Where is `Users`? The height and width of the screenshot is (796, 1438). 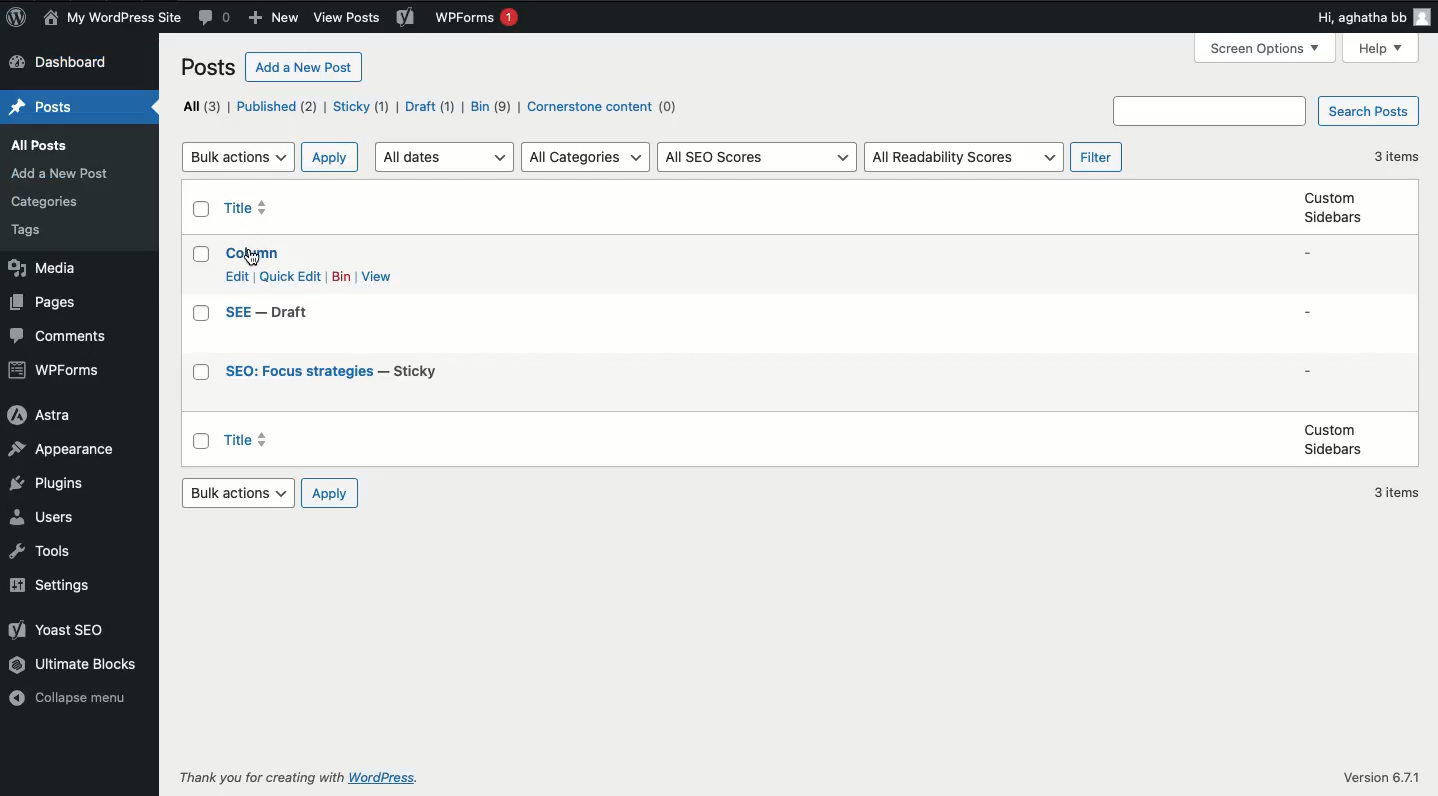 Users is located at coordinates (50, 519).